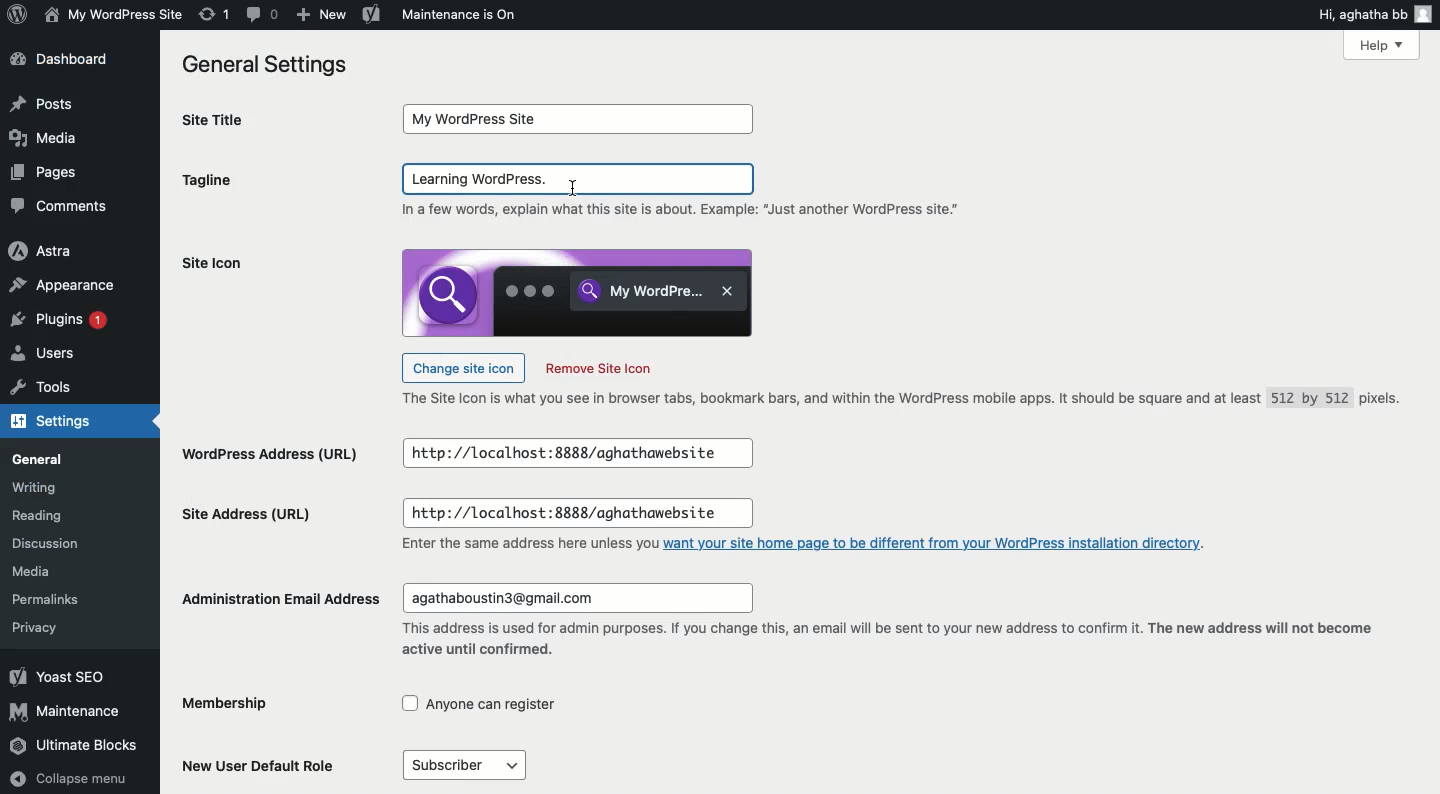 The image size is (1440, 794). What do you see at coordinates (207, 183) in the screenshot?
I see `tagline` at bounding box center [207, 183].